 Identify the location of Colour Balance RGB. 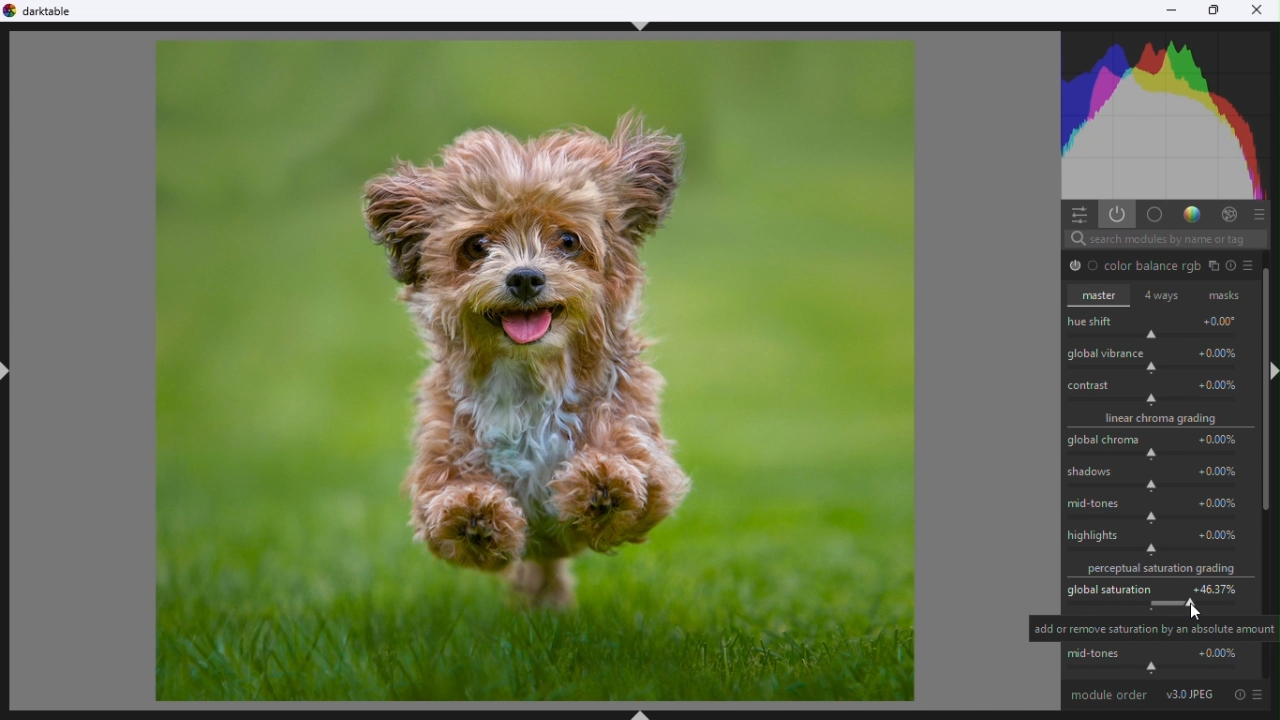
(1163, 265).